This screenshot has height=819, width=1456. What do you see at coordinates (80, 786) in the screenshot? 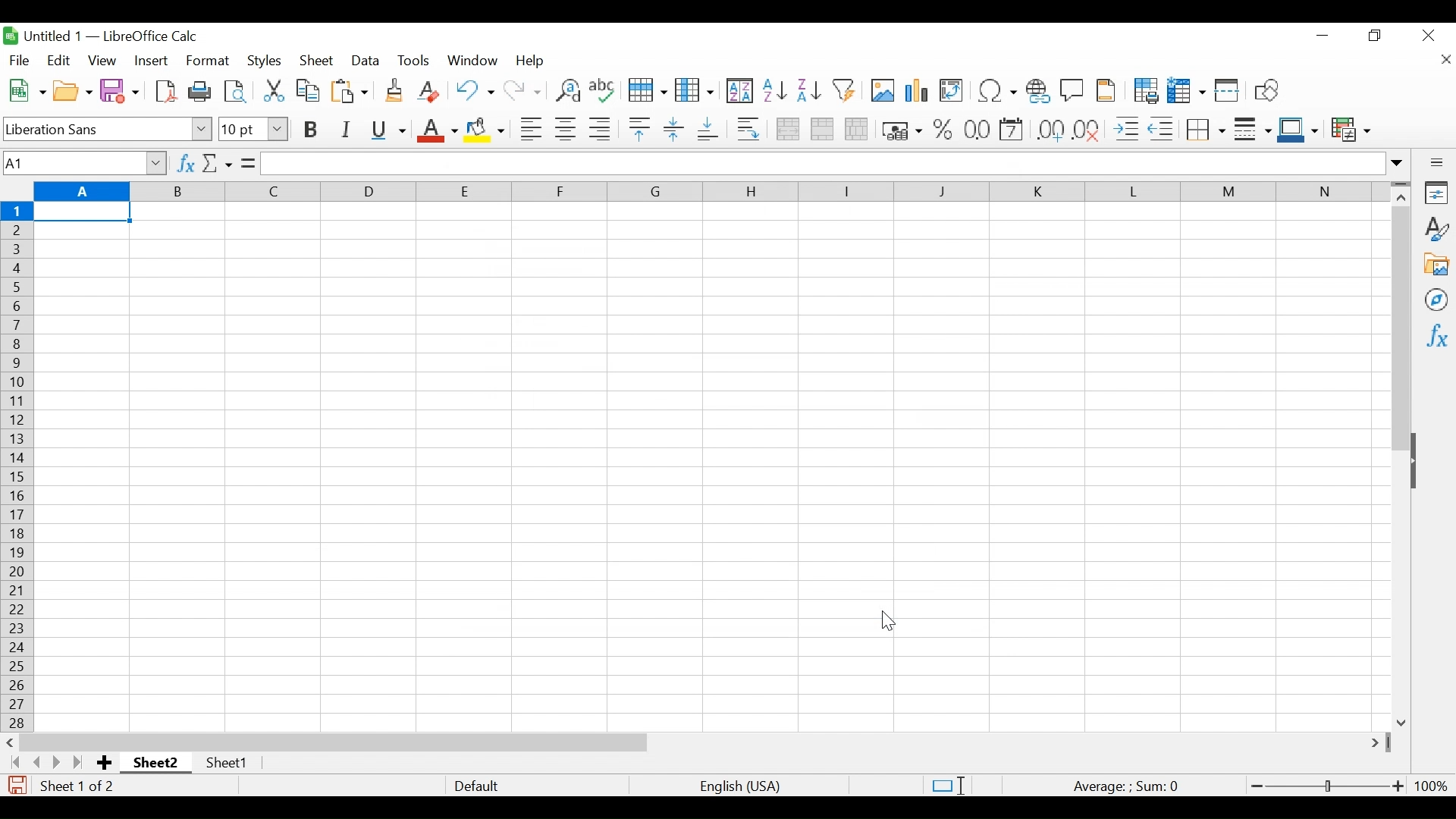
I see `Sheet out of` at bounding box center [80, 786].